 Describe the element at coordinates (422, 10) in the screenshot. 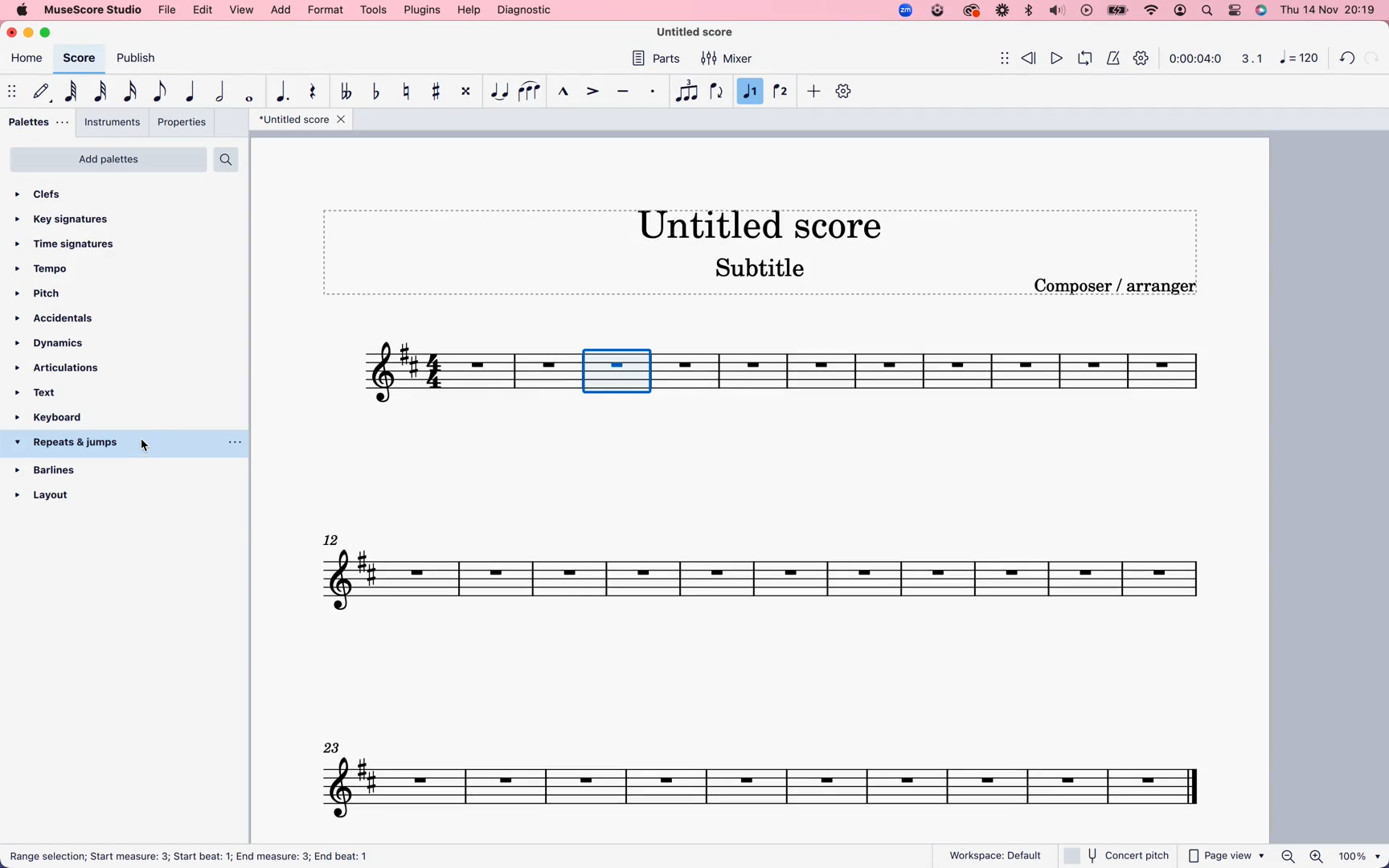

I see `plugins` at that location.